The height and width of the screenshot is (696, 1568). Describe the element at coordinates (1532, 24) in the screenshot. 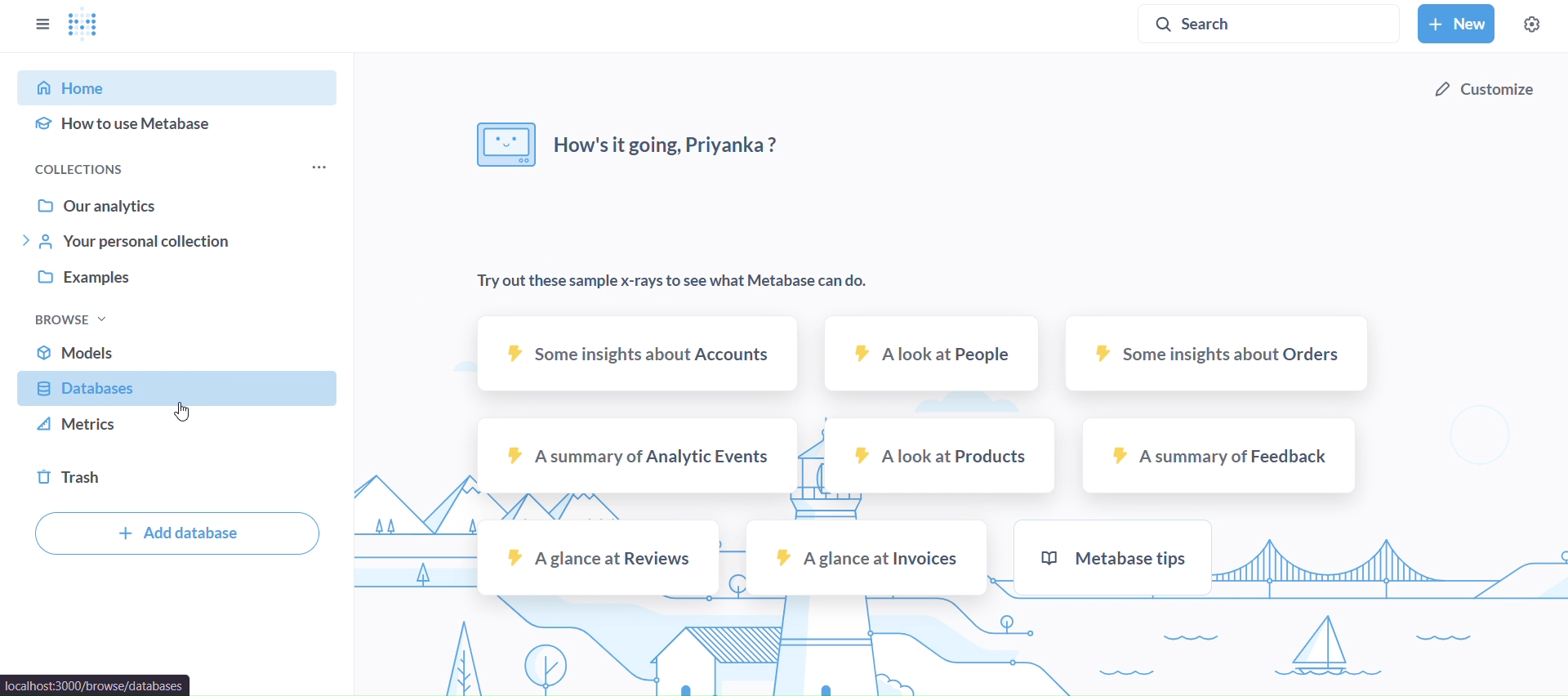

I see `settings` at that location.